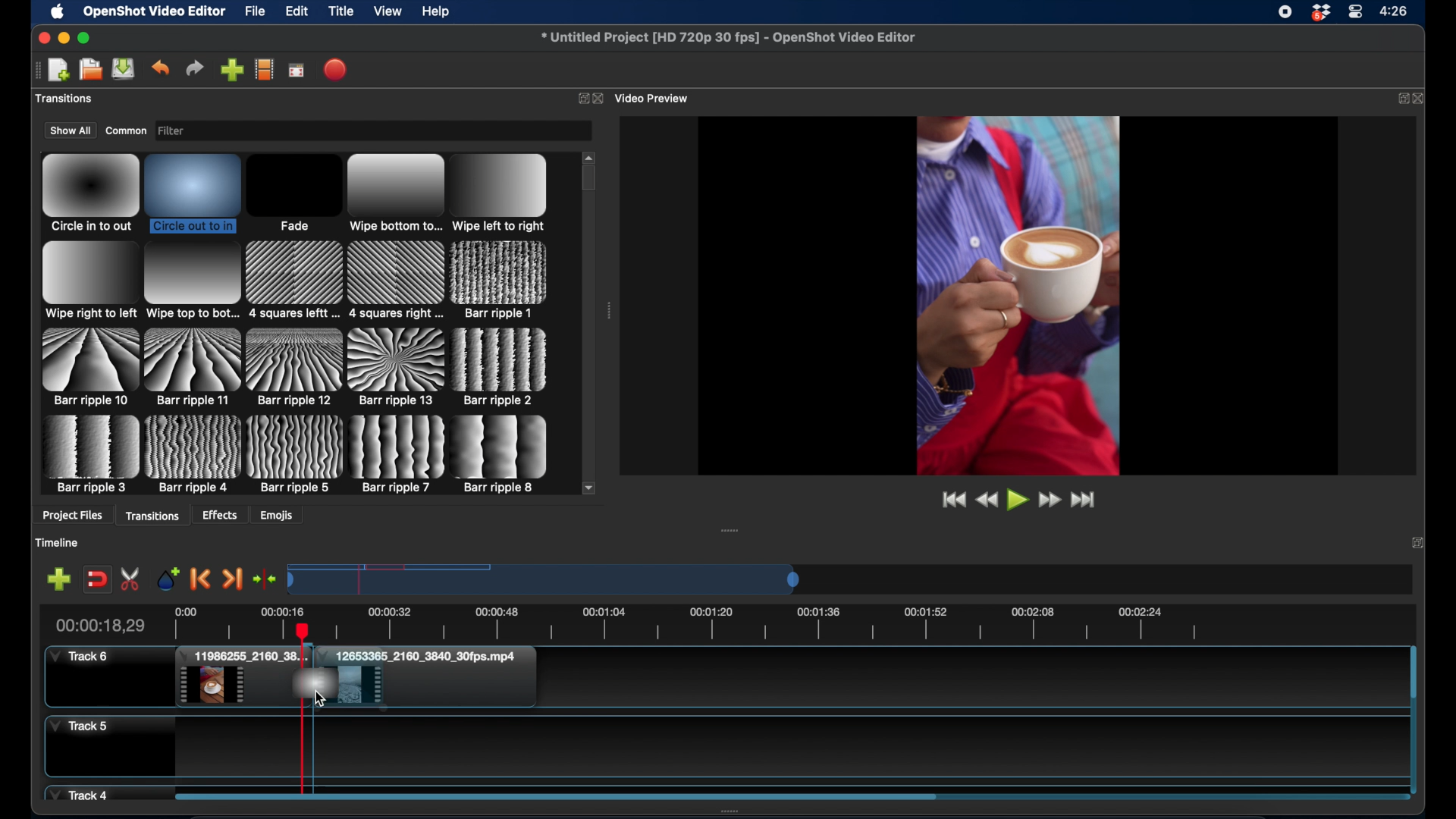  Describe the element at coordinates (72, 516) in the screenshot. I see `project files` at that location.